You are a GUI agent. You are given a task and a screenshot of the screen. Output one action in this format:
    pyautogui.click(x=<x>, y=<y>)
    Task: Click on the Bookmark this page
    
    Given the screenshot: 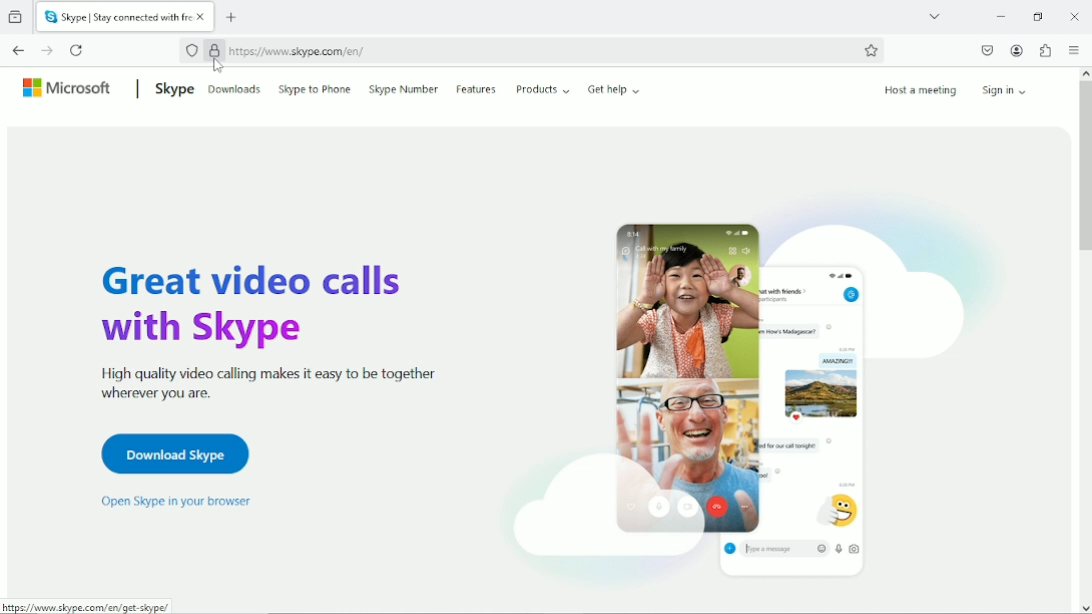 What is the action you would take?
    pyautogui.click(x=871, y=50)
    